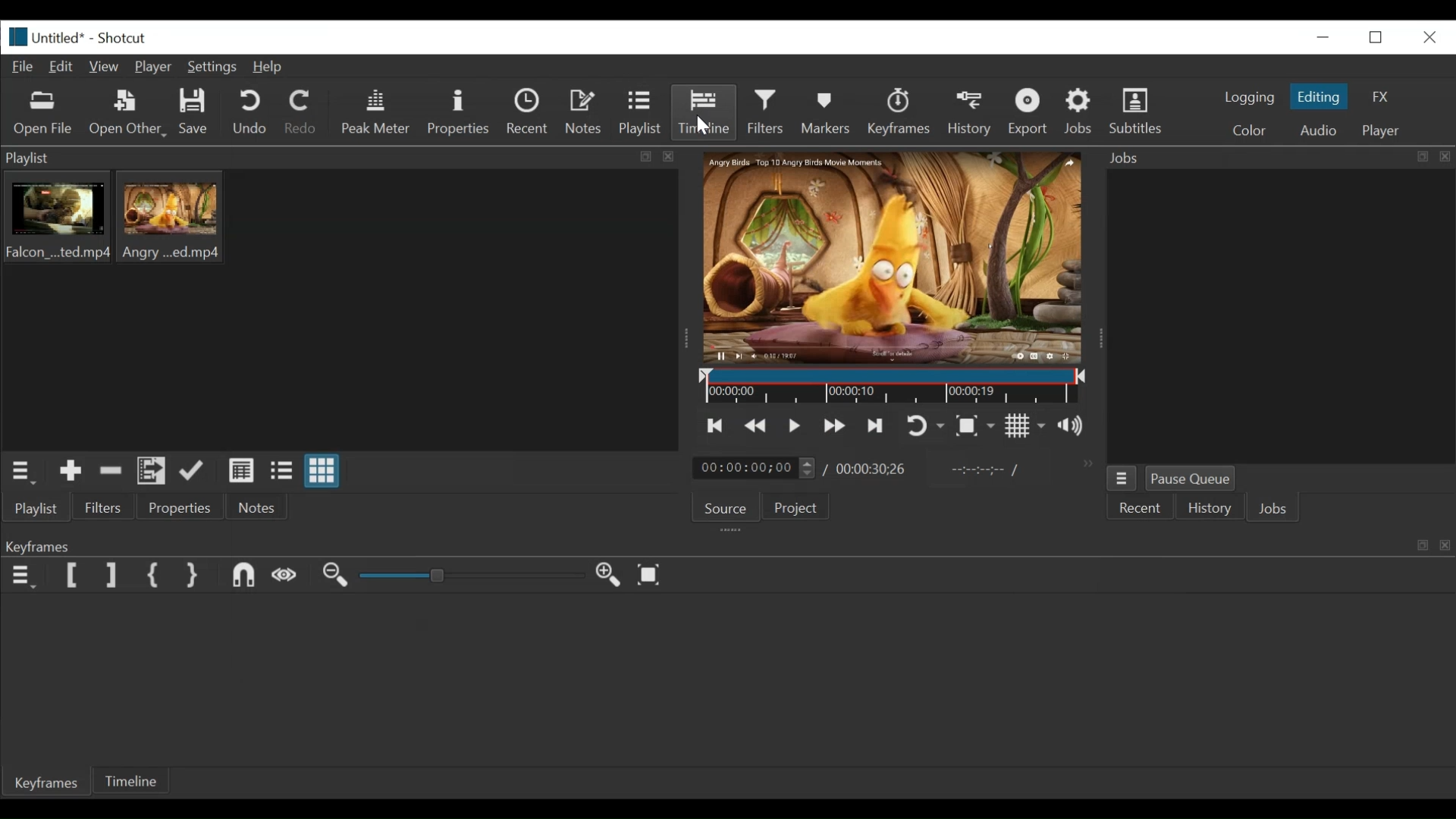  Describe the element at coordinates (1323, 36) in the screenshot. I see `minimize` at that location.